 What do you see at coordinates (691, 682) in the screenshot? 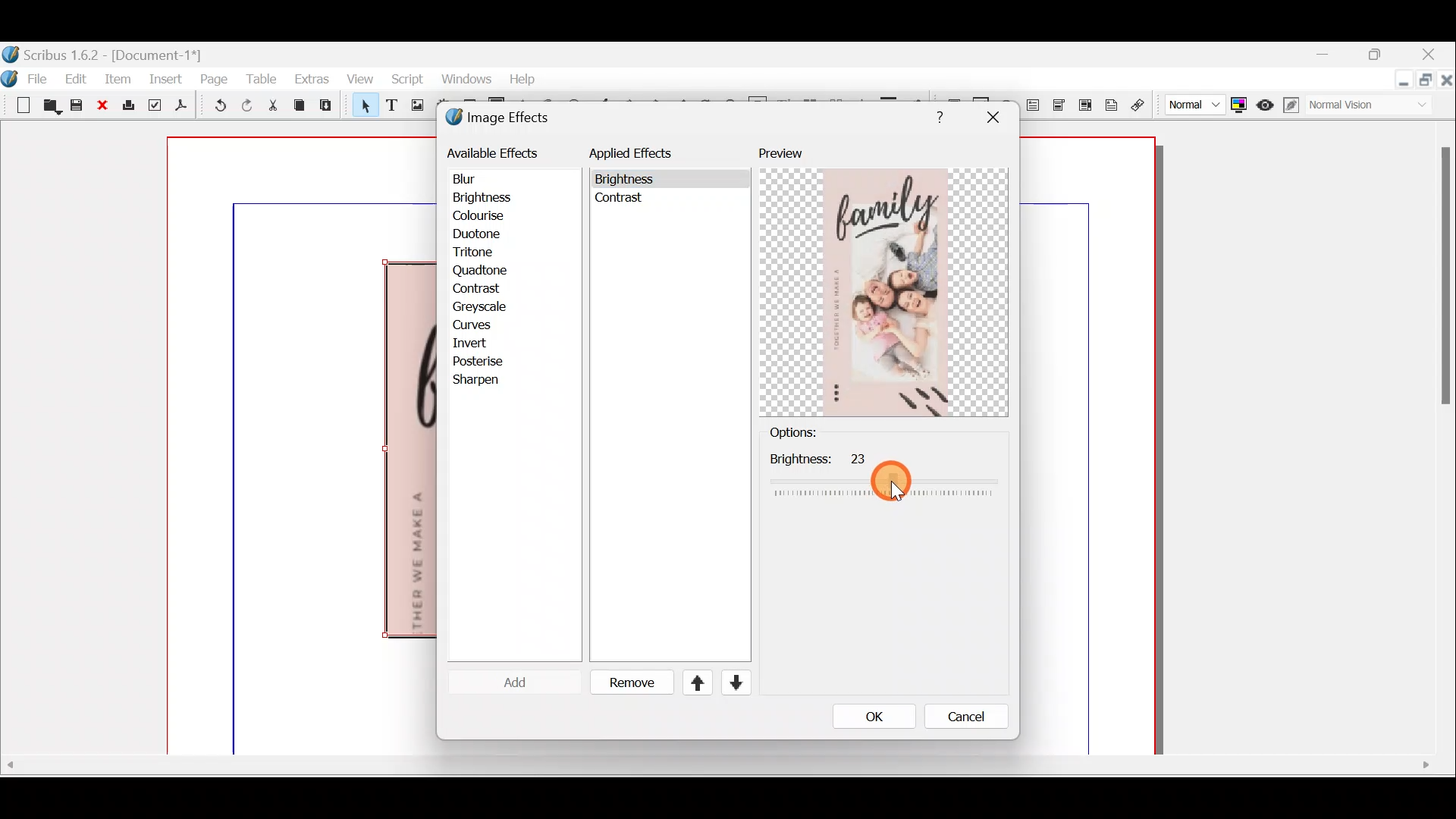
I see `Move up` at bounding box center [691, 682].